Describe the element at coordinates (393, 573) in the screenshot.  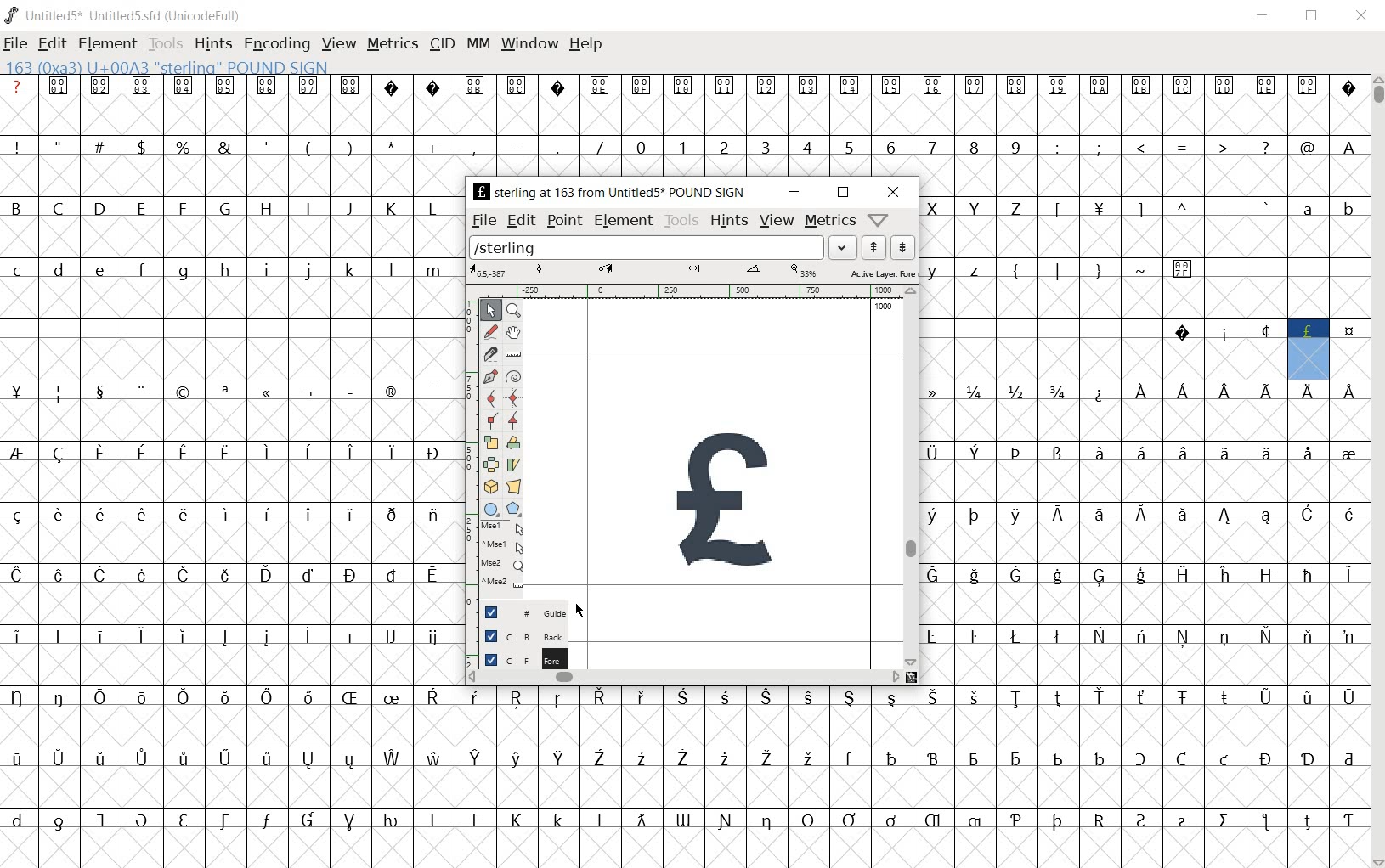
I see `Symbol` at that location.